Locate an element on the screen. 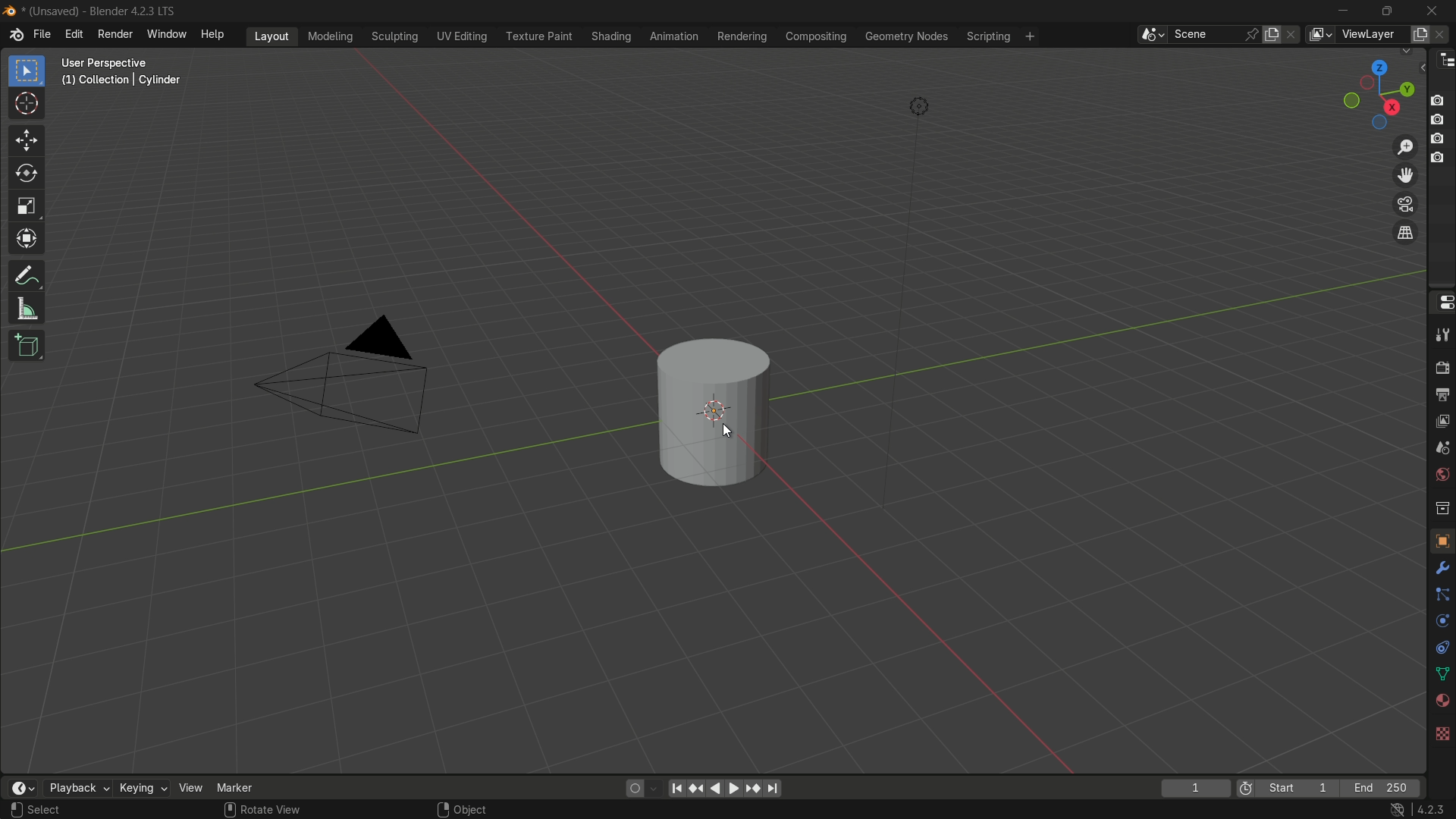 The image size is (1456, 819). views is located at coordinates (1319, 35).